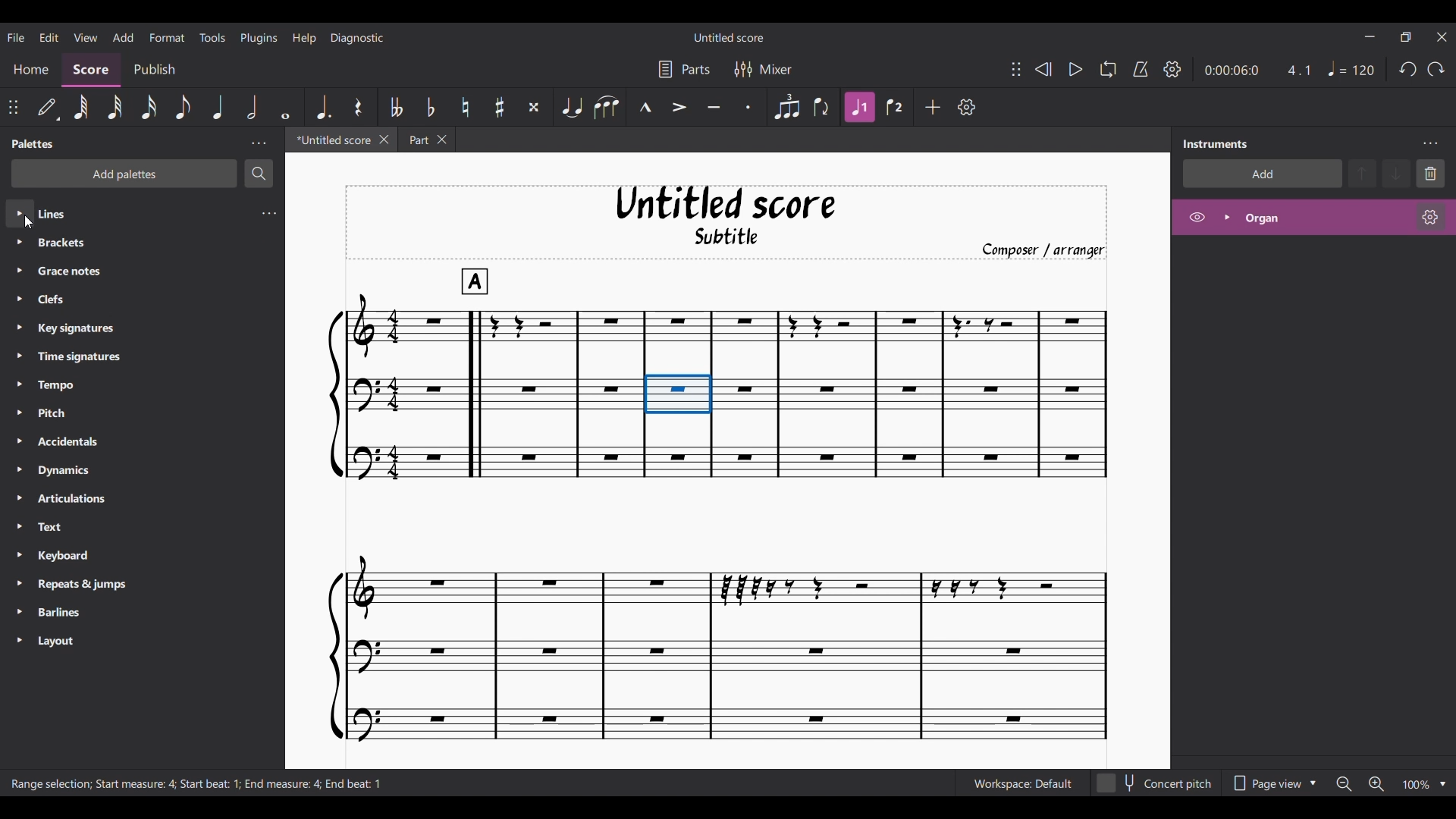 This screenshot has width=1456, height=819. What do you see at coordinates (748, 107) in the screenshot?
I see `Staccato` at bounding box center [748, 107].